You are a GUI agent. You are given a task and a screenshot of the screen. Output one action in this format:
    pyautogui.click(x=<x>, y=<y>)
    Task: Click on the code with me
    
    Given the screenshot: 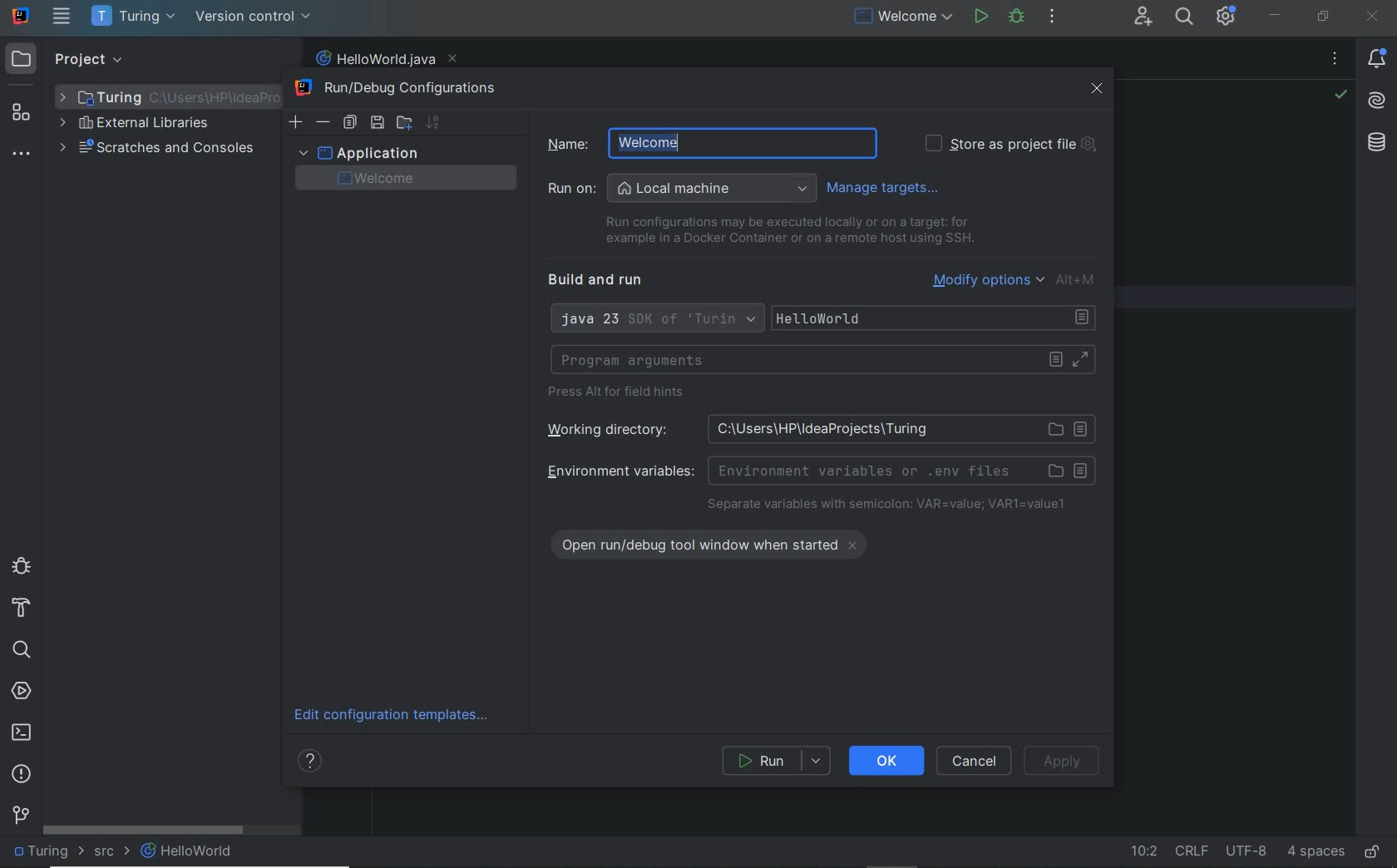 What is the action you would take?
    pyautogui.click(x=1144, y=18)
    